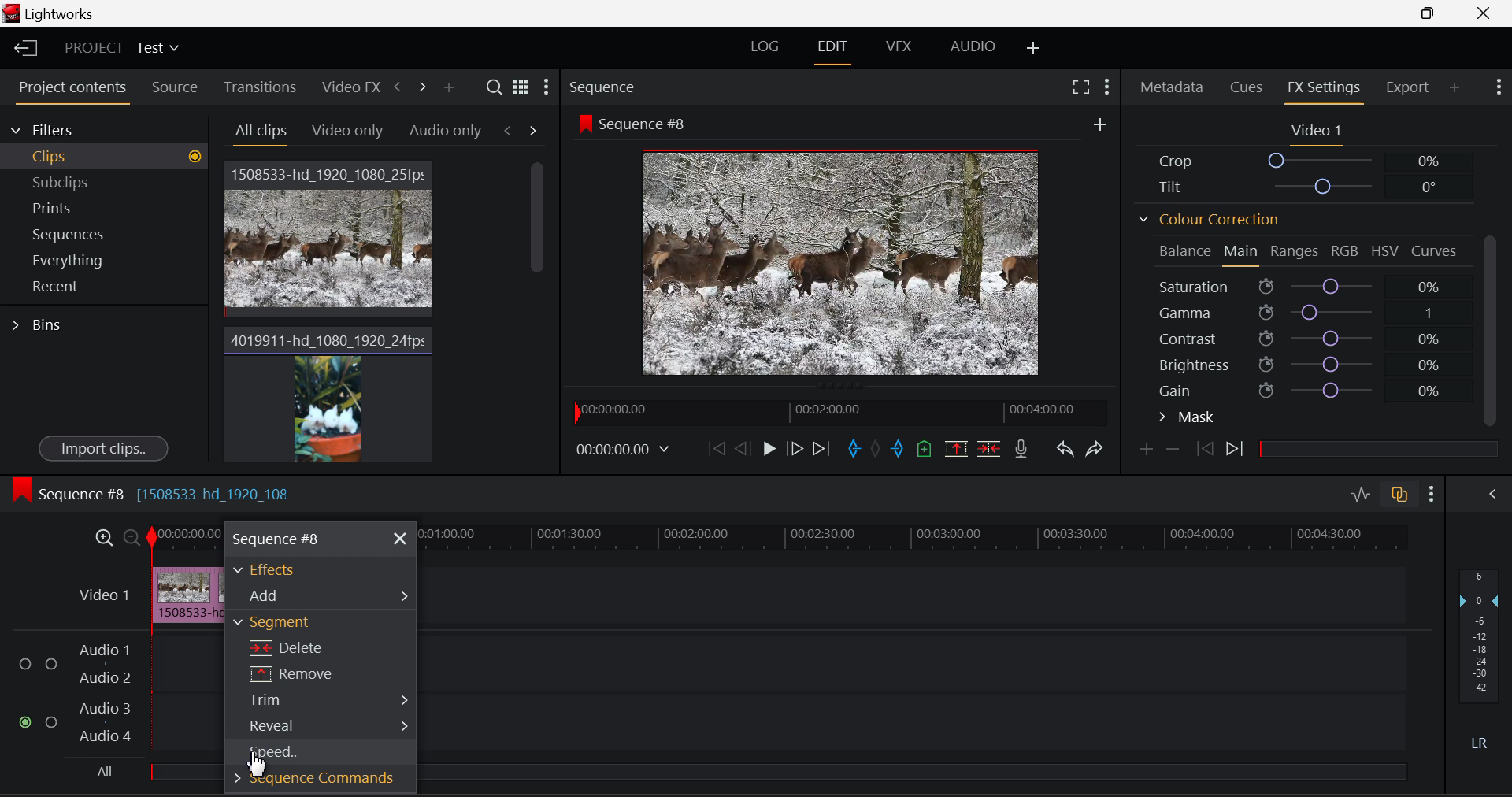 Image resolution: width=1512 pixels, height=797 pixels. I want to click on Video FX Tab, so click(351, 88).